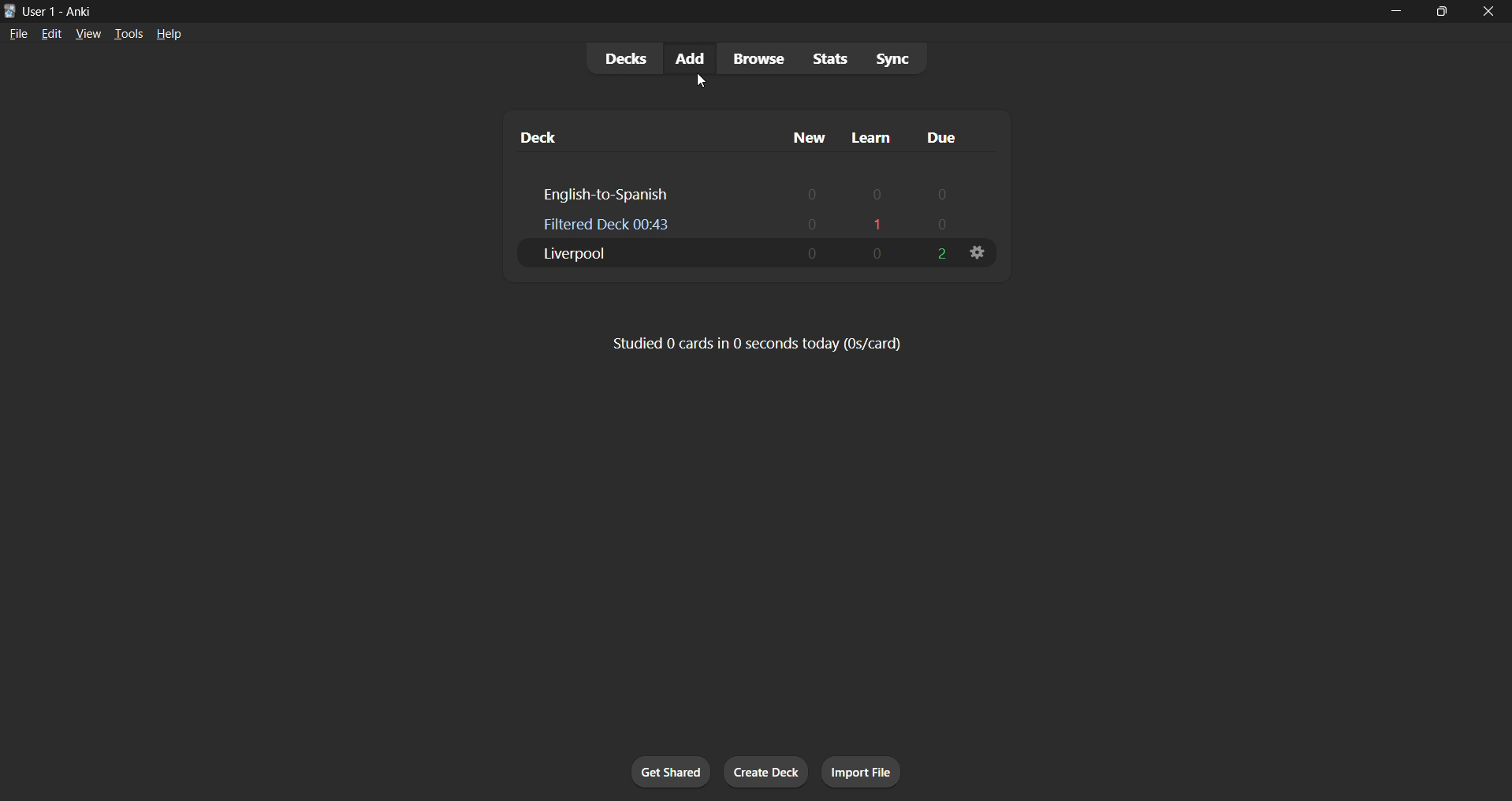  What do you see at coordinates (824, 58) in the screenshot?
I see `stats` at bounding box center [824, 58].